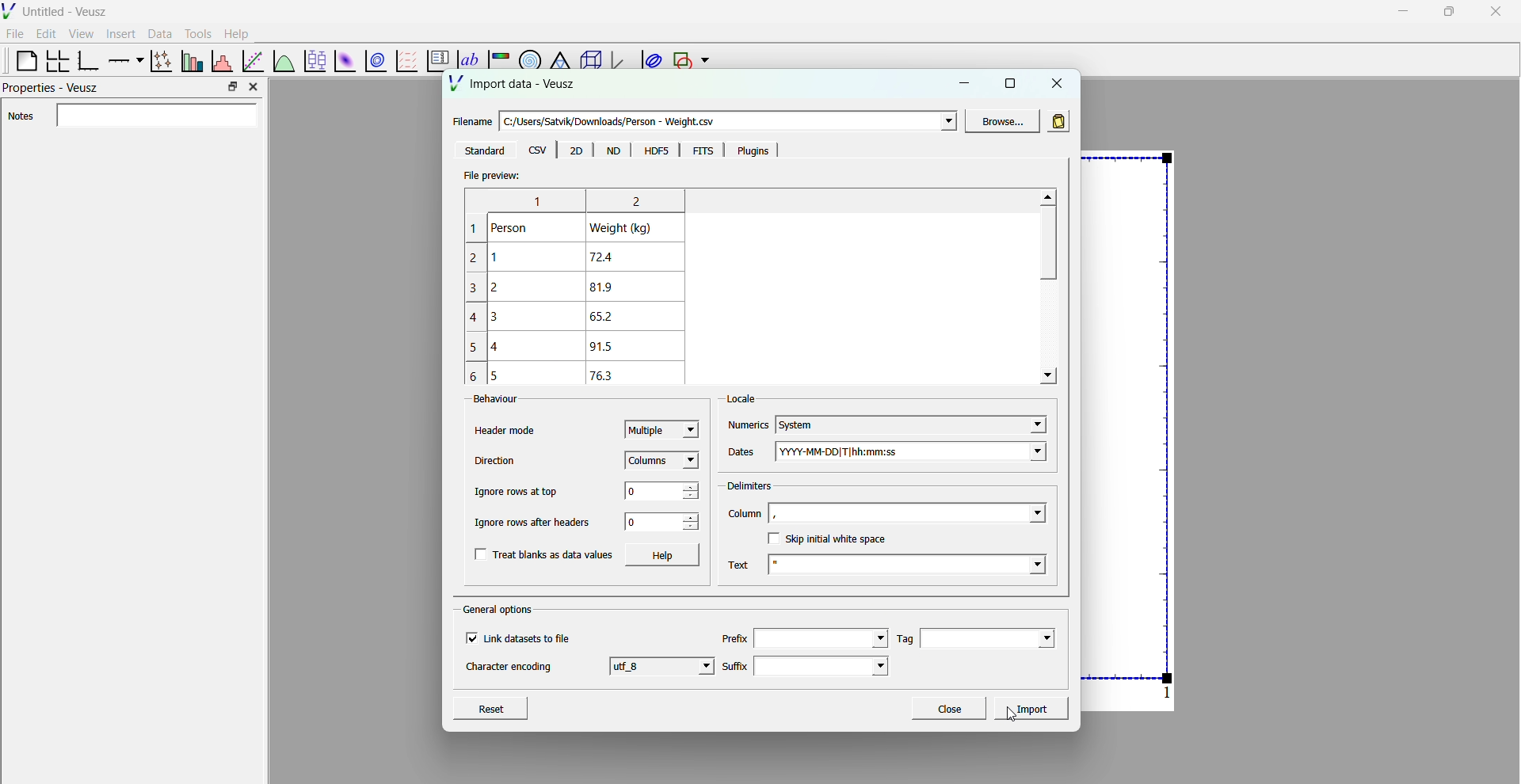 Image resolution: width=1521 pixels, height=784 pixels. I want to click on polar graph, so click(527, 55).